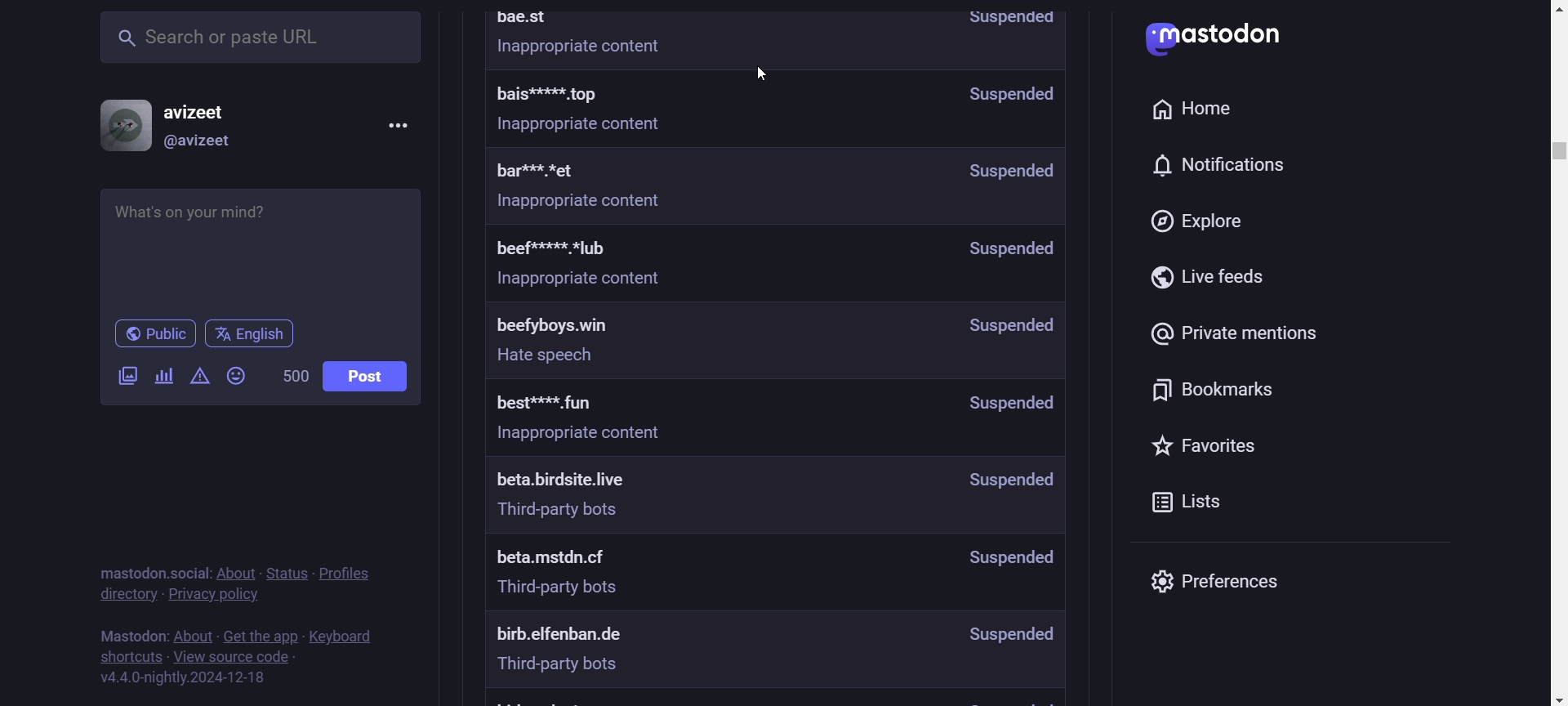 The image size is (1568, 706). Describe the element at coordinates (130, 632) in the screenshot. I see `text` at that location.